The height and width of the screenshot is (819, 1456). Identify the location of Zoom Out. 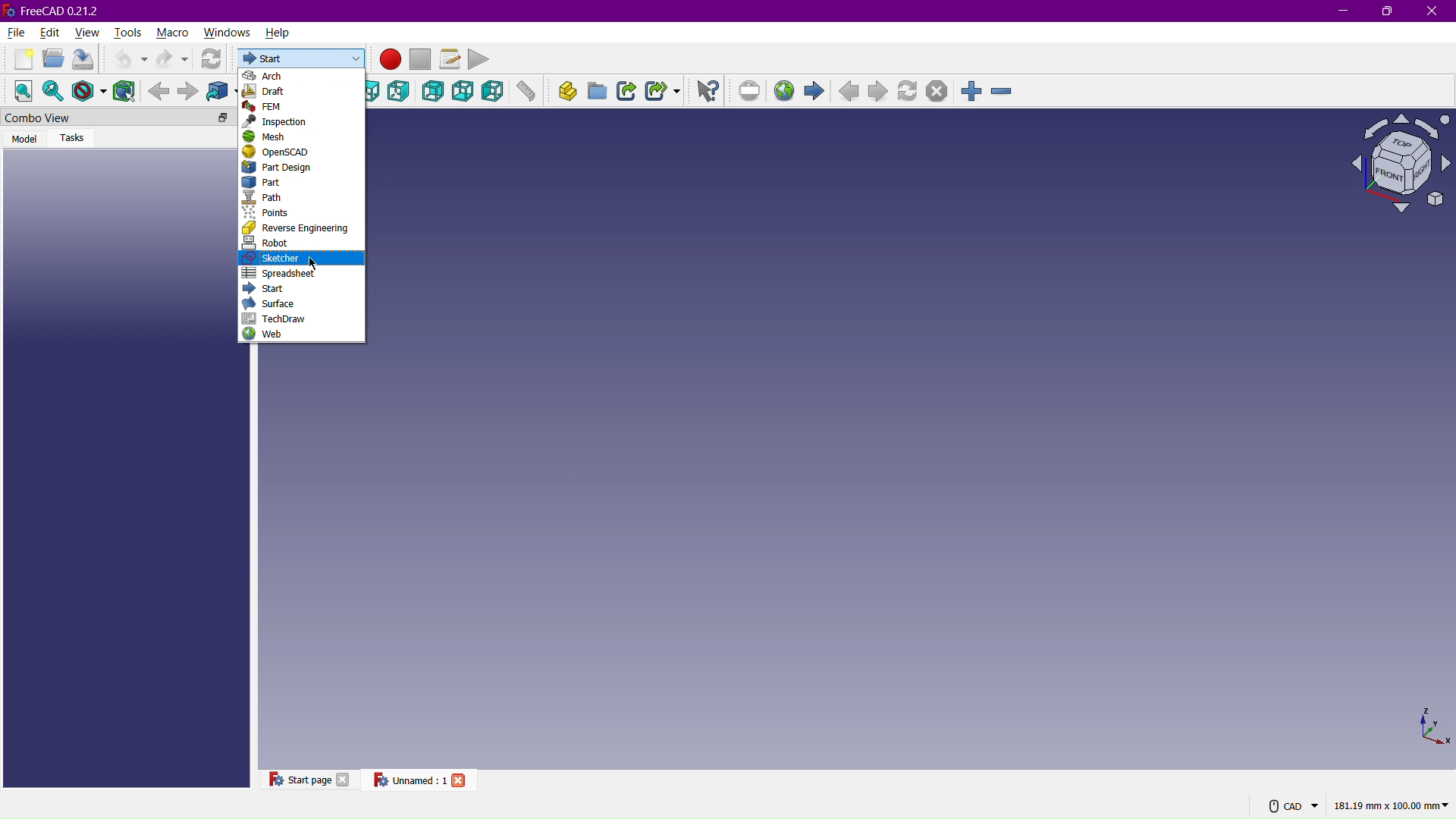
(1005, 91).